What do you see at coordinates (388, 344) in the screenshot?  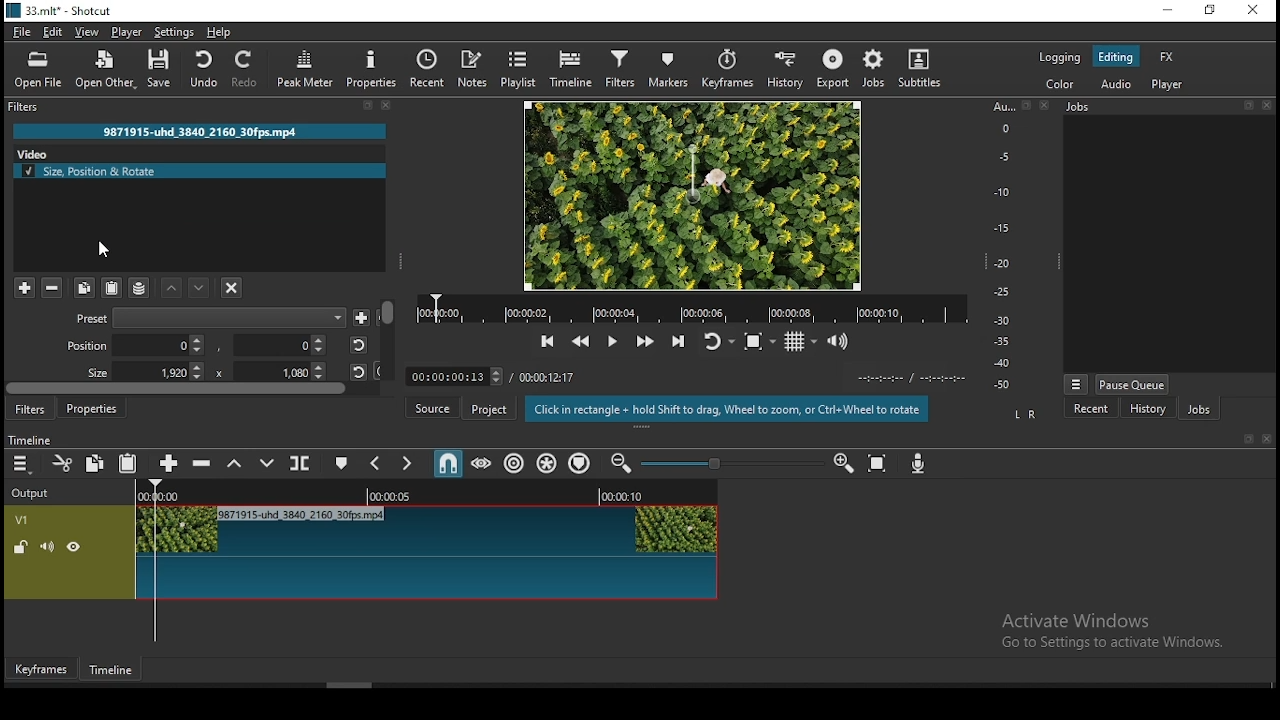 I see `scroll bar` at bounding box center [388, 344].